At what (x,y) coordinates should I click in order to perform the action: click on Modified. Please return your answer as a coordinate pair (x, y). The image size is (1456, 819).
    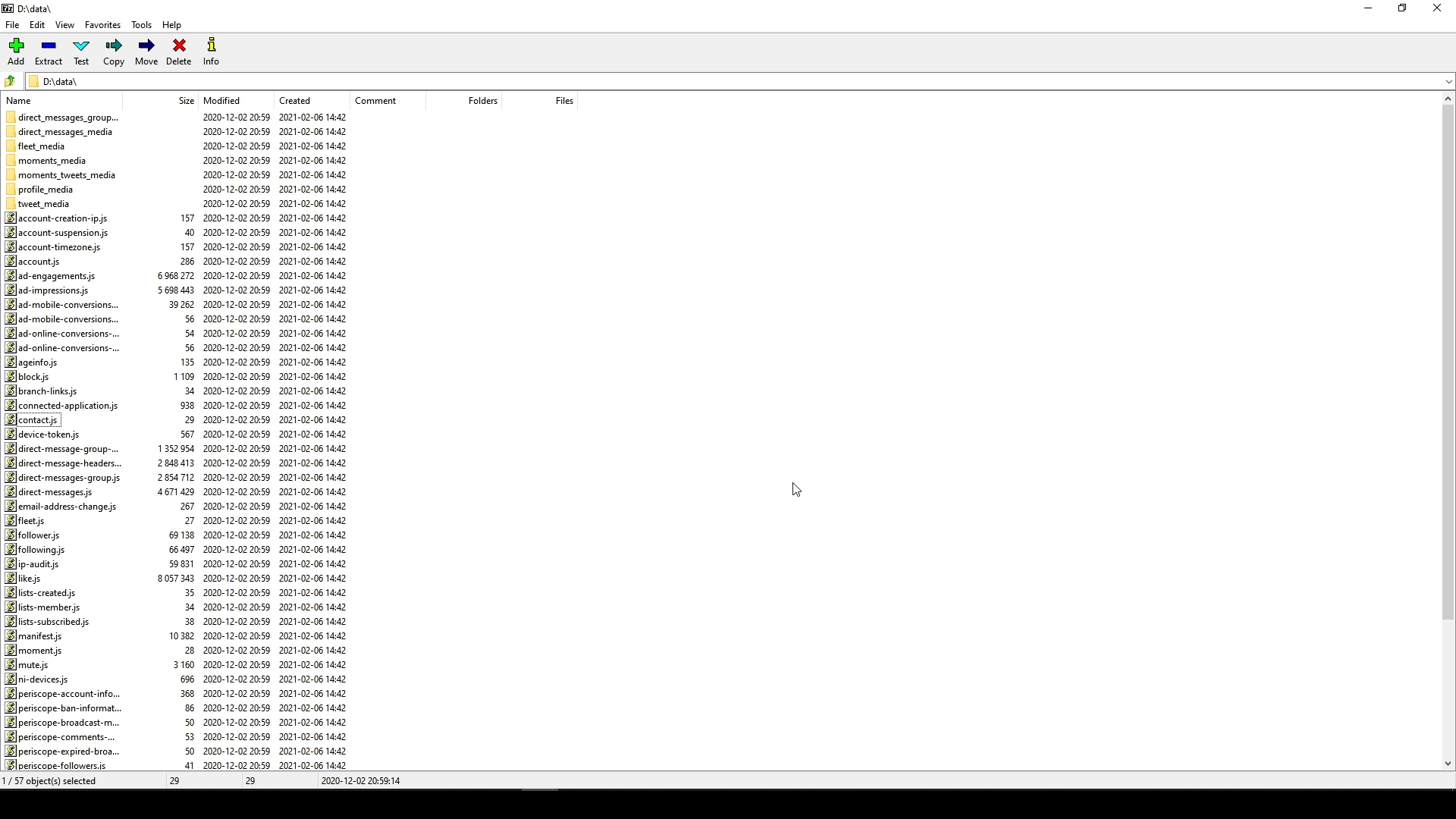
    Looking at the image, I should click on (226, 99).